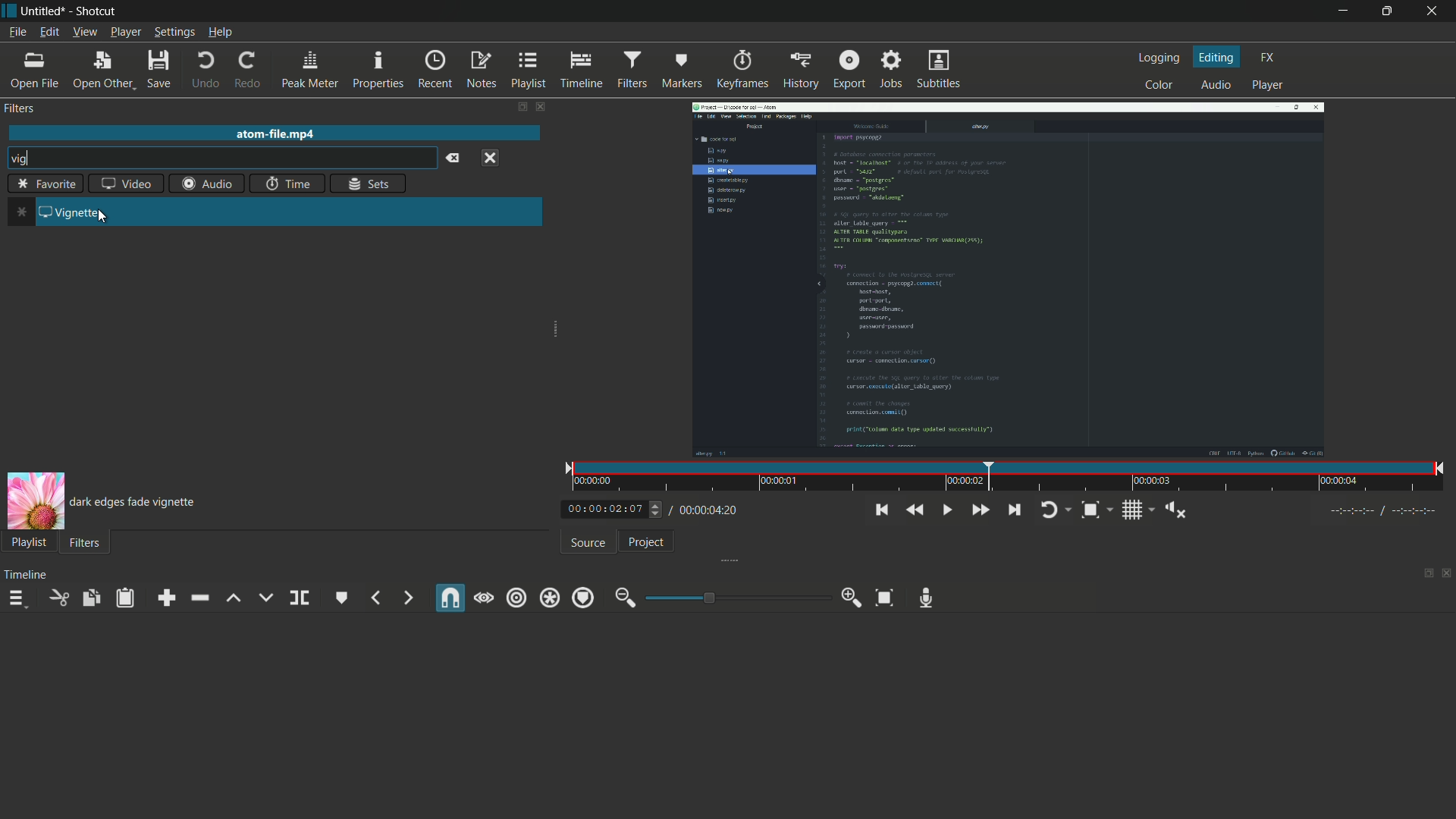  I want to click on file name, so click(277, 133).